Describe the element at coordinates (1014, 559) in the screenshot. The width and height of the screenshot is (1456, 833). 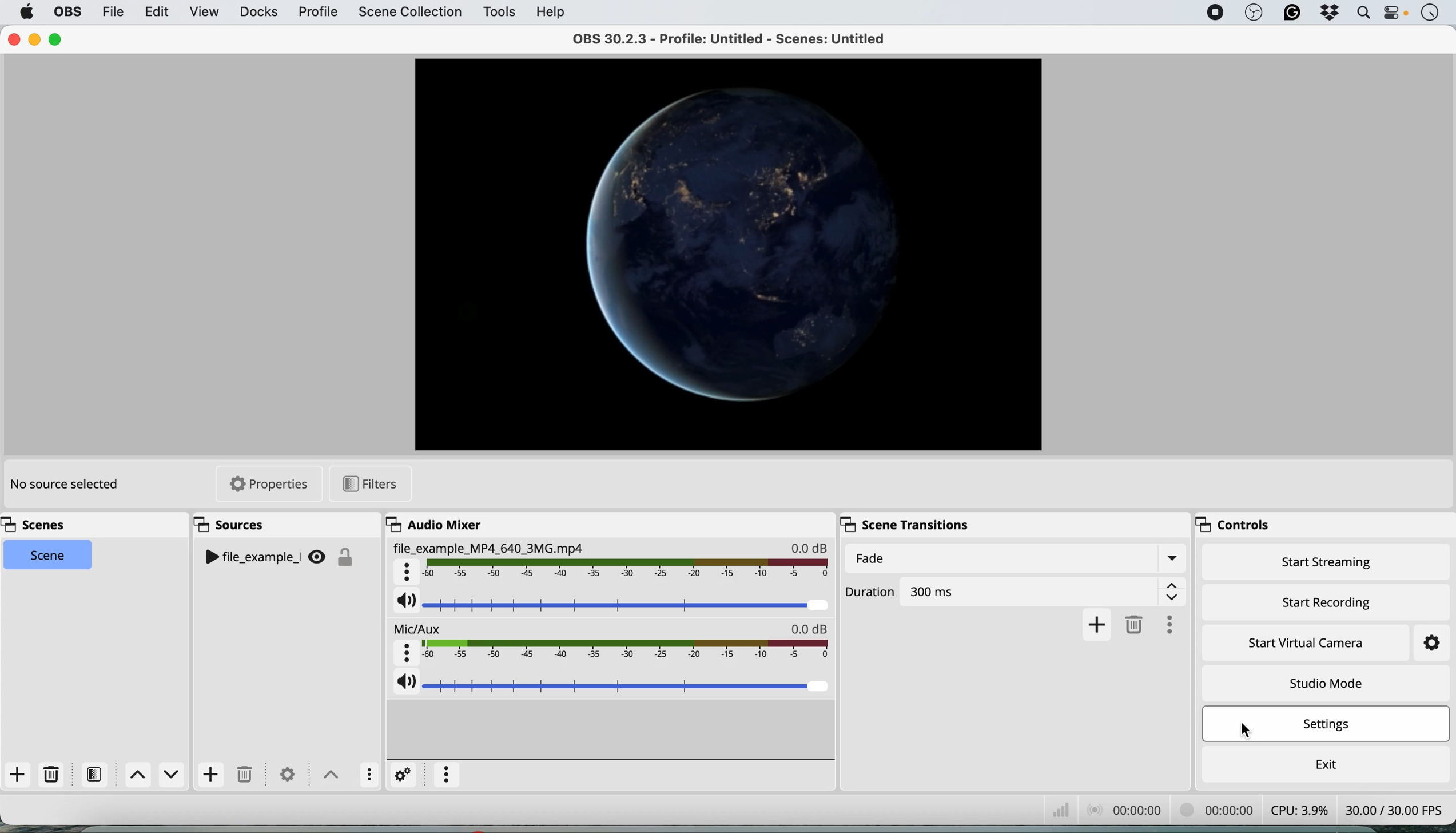
I see `fade` at that location.